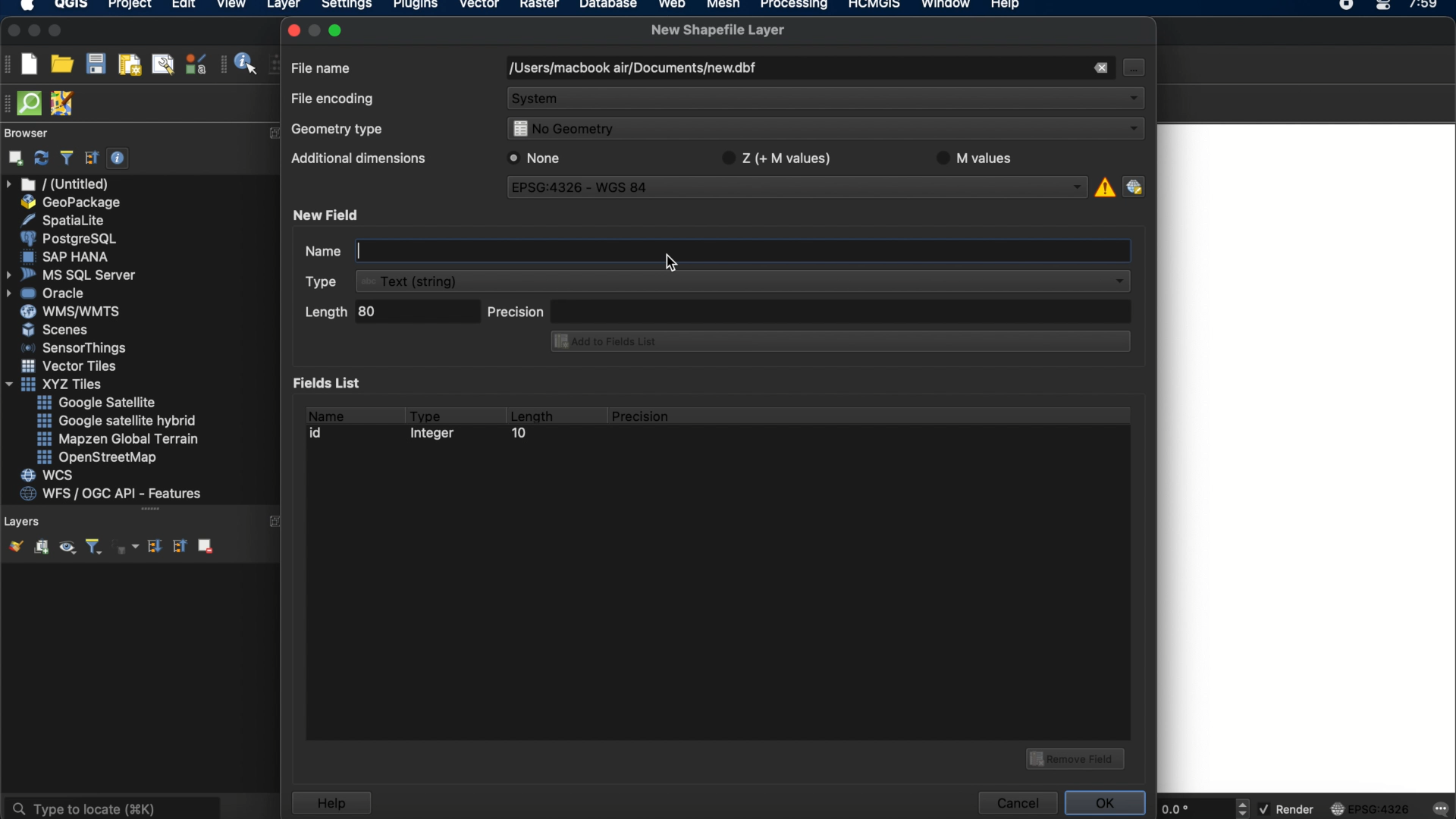 This screenshot has height=819, width=1456. What do you see at coordinates (152, 547) in the screenshot?
I see `expand all` at bounding box center [152, 547].